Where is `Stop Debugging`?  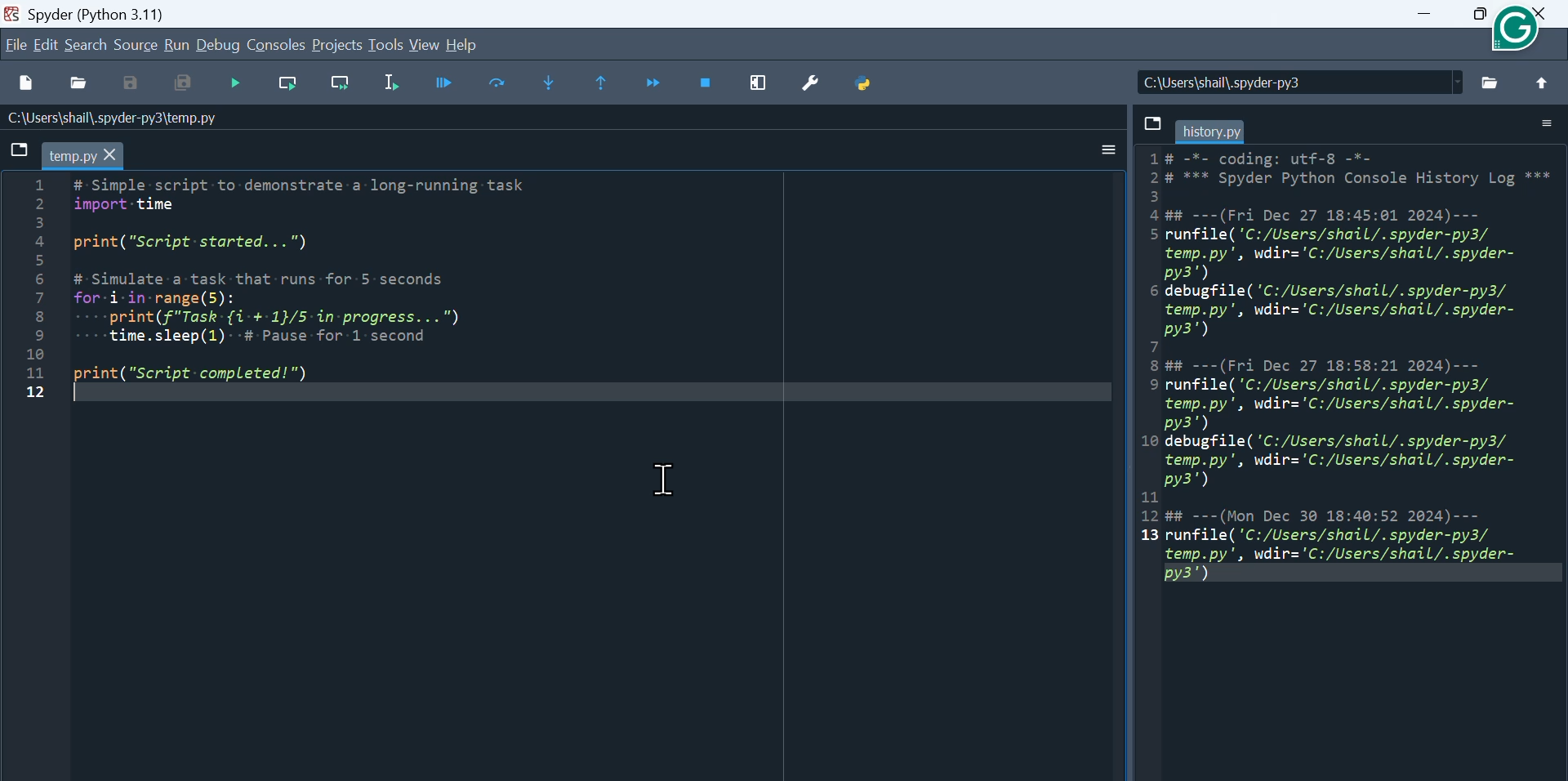
Stop Debugging is located at coordinates (709, 80).